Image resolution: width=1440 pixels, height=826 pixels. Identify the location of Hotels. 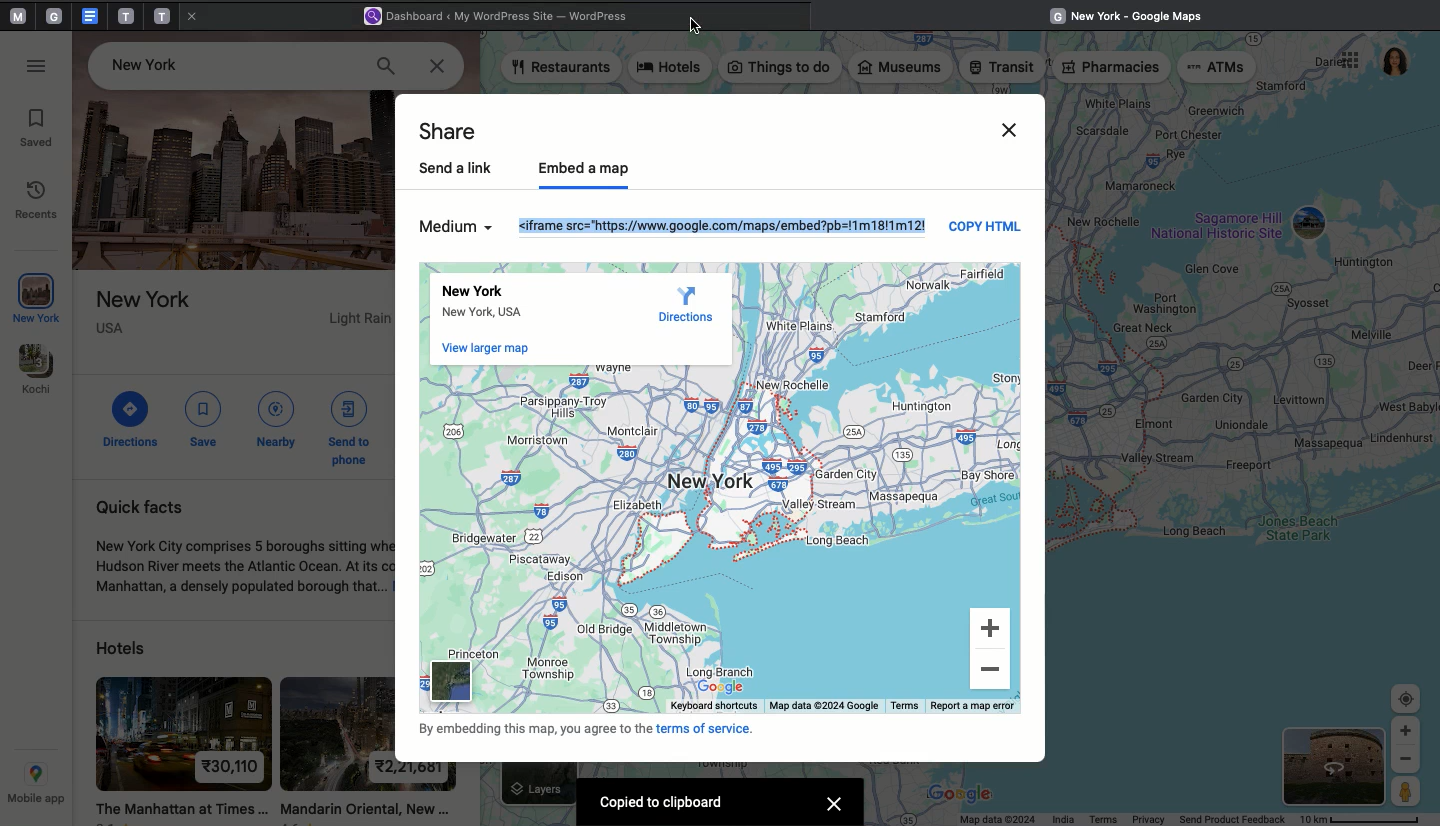
(673, 70).